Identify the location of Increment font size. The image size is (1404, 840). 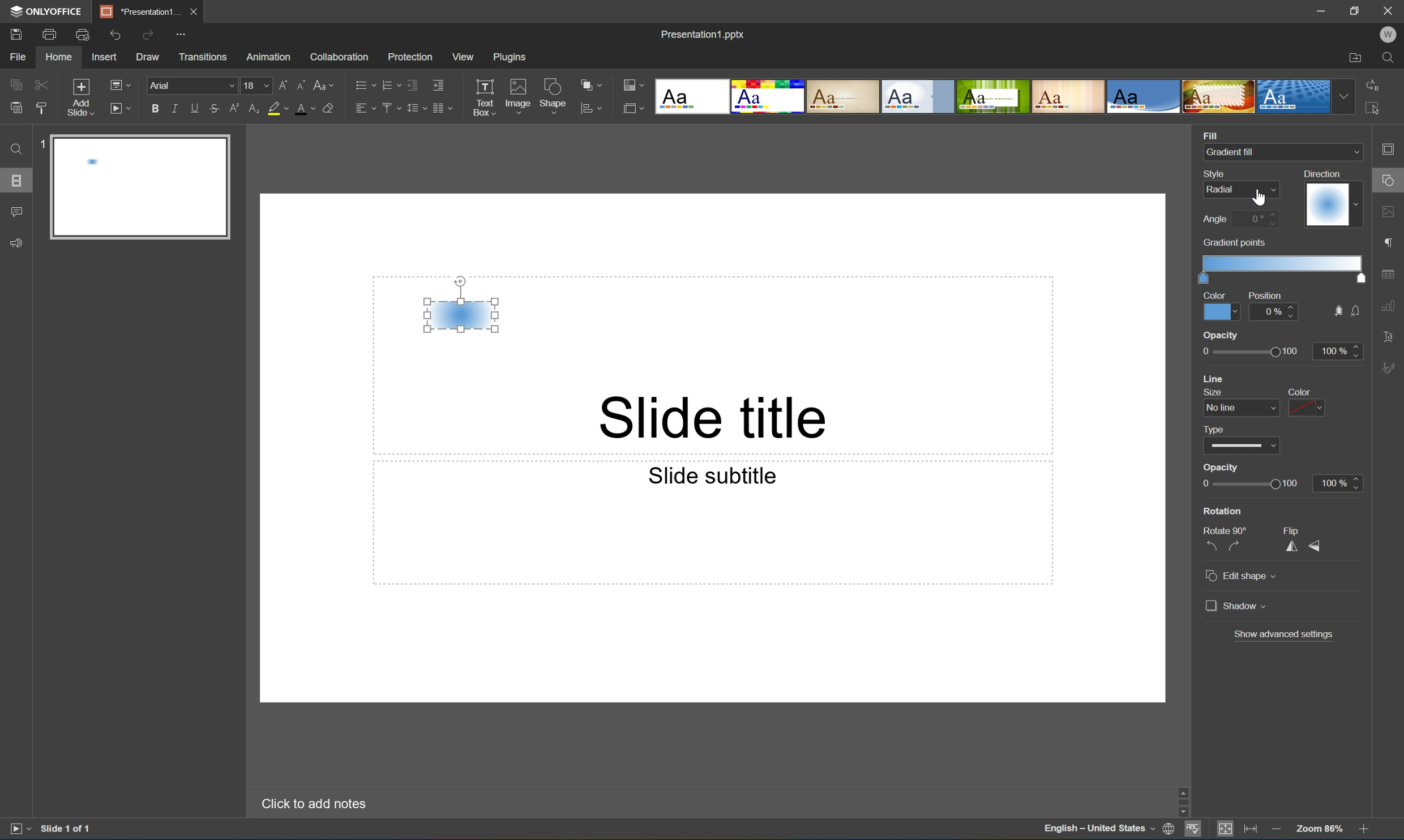
(280, 83).